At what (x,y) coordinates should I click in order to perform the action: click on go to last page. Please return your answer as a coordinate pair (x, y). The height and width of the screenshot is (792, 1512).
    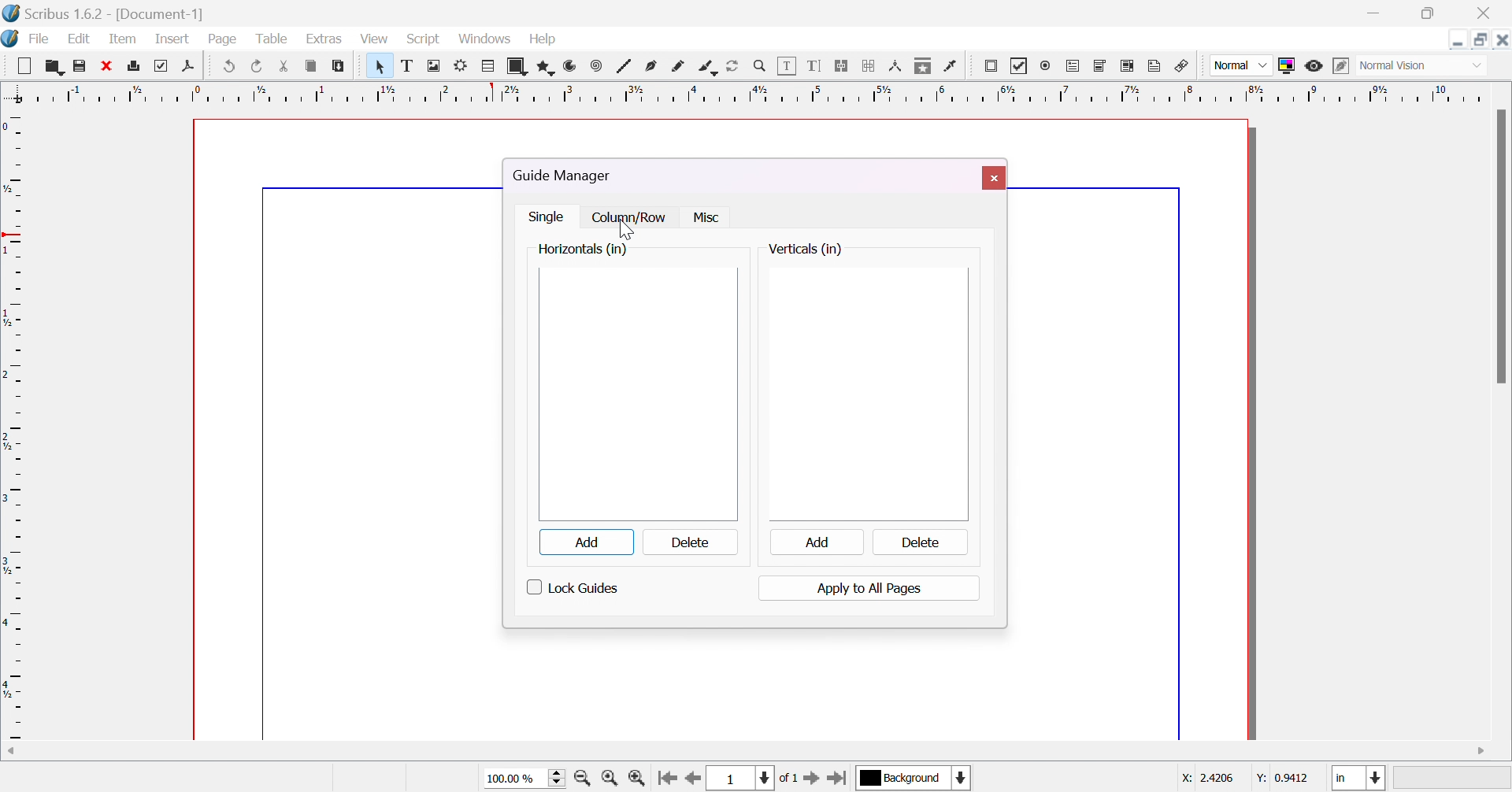
    Looking at the image, I should click on (840, 777).